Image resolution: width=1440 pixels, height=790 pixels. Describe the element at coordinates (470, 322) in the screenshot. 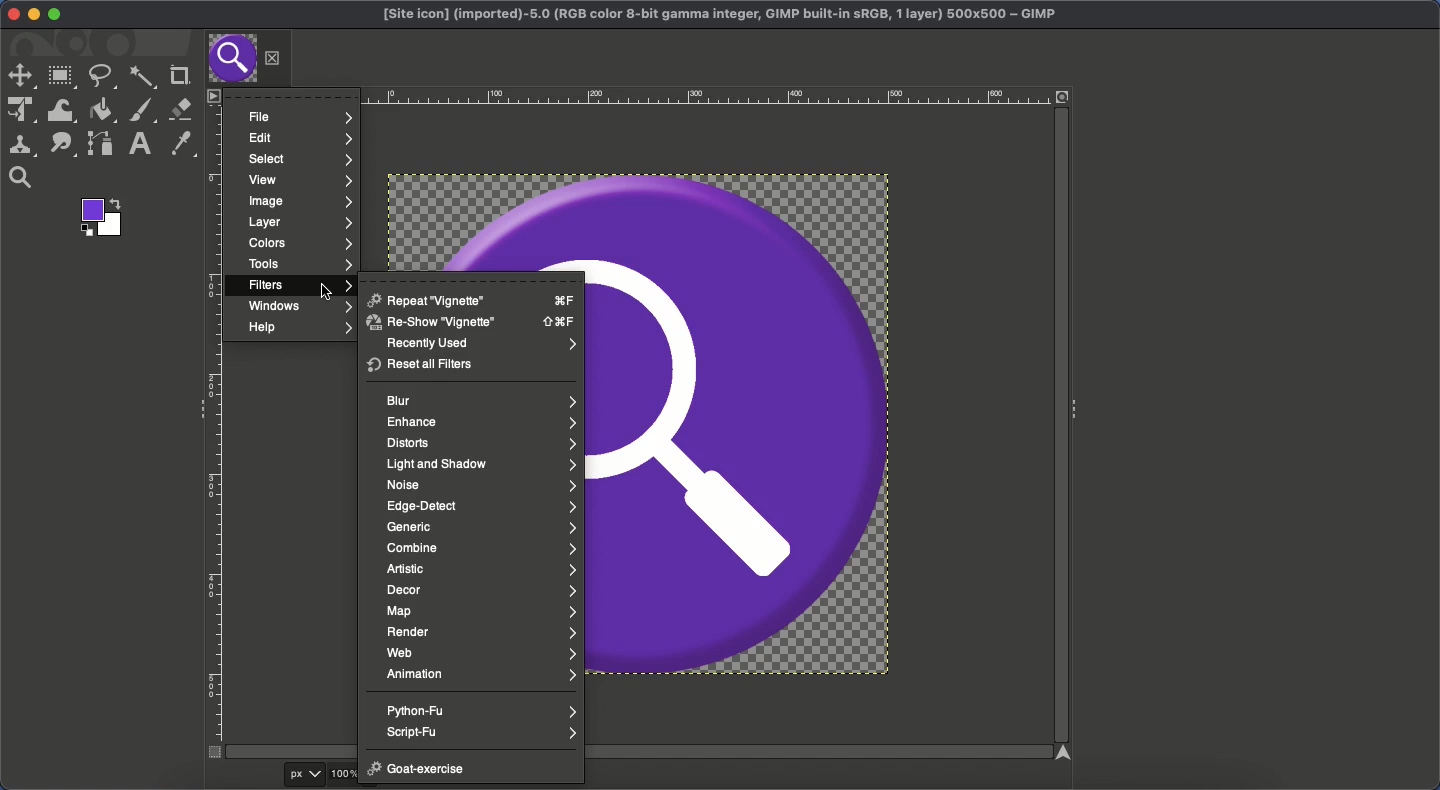

I see `Reshow vignette` at that location.